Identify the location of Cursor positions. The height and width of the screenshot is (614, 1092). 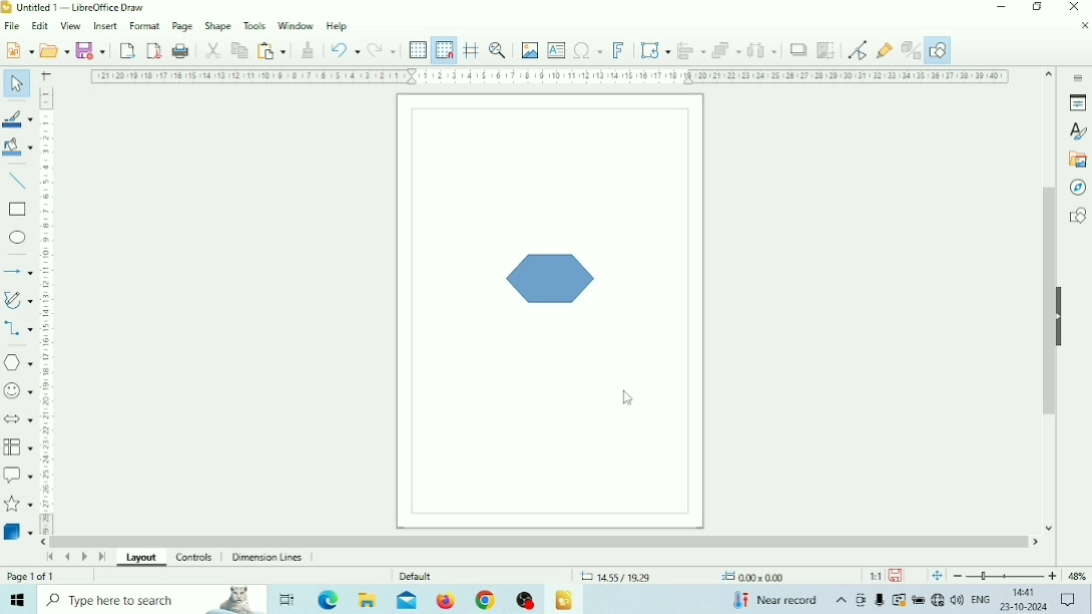
(682, 577).